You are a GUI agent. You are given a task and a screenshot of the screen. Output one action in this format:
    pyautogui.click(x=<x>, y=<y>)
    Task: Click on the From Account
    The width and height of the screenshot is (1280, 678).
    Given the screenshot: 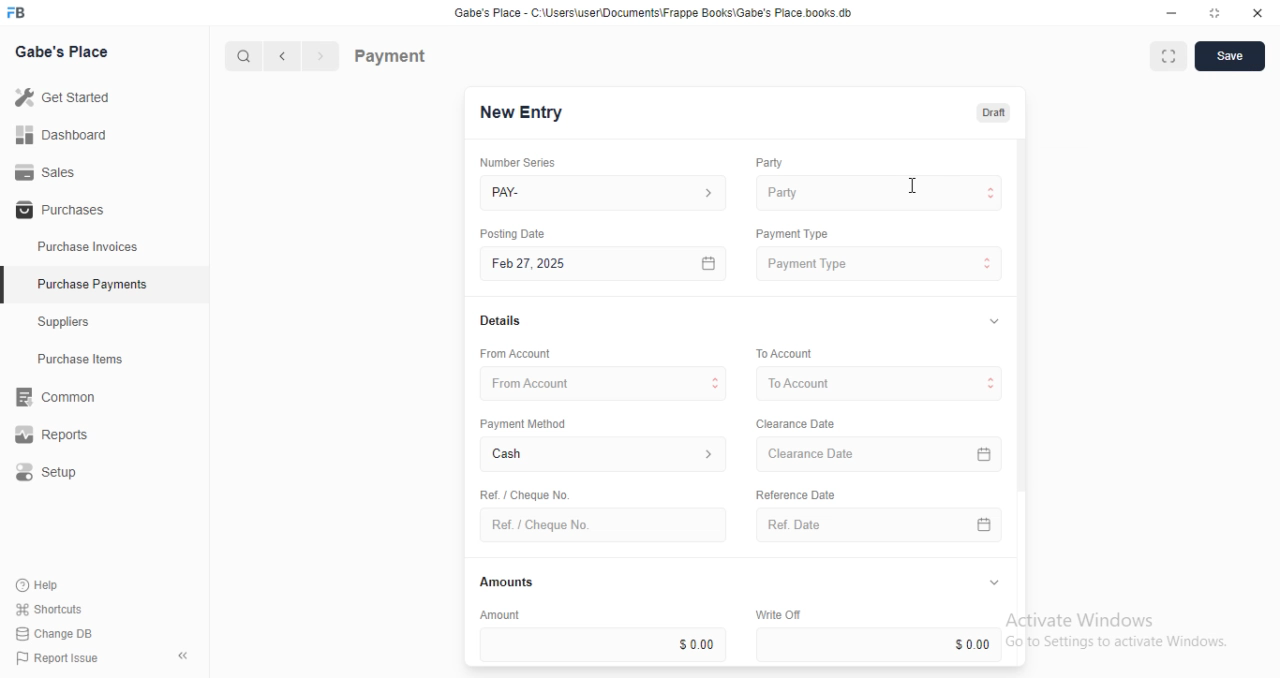 What is the action you would take?
    pyautogui.click(x=605, y=382)
    